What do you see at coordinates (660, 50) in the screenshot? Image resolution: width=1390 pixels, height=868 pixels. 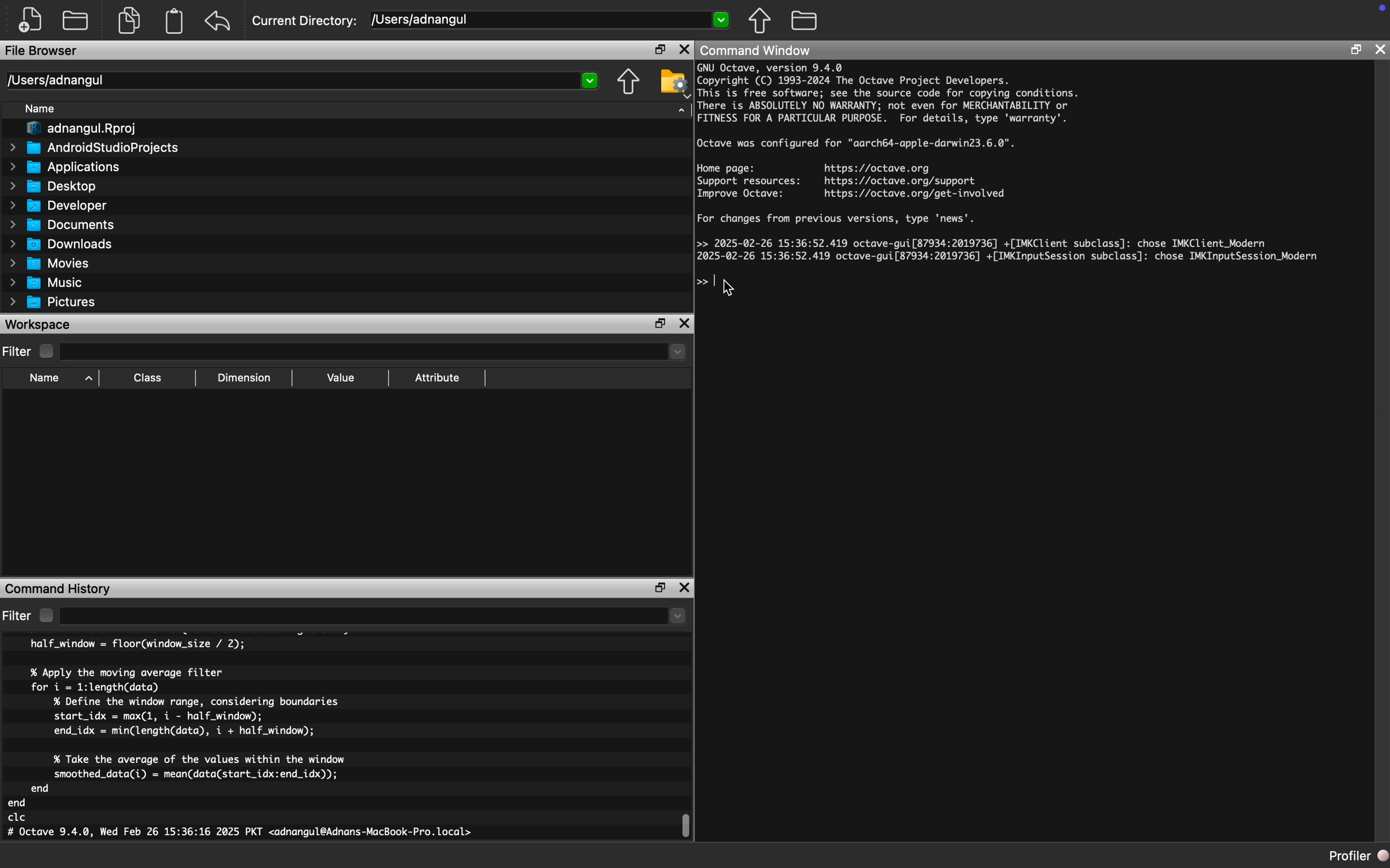 I see `Restore Down` at bounding box center [660, 50].